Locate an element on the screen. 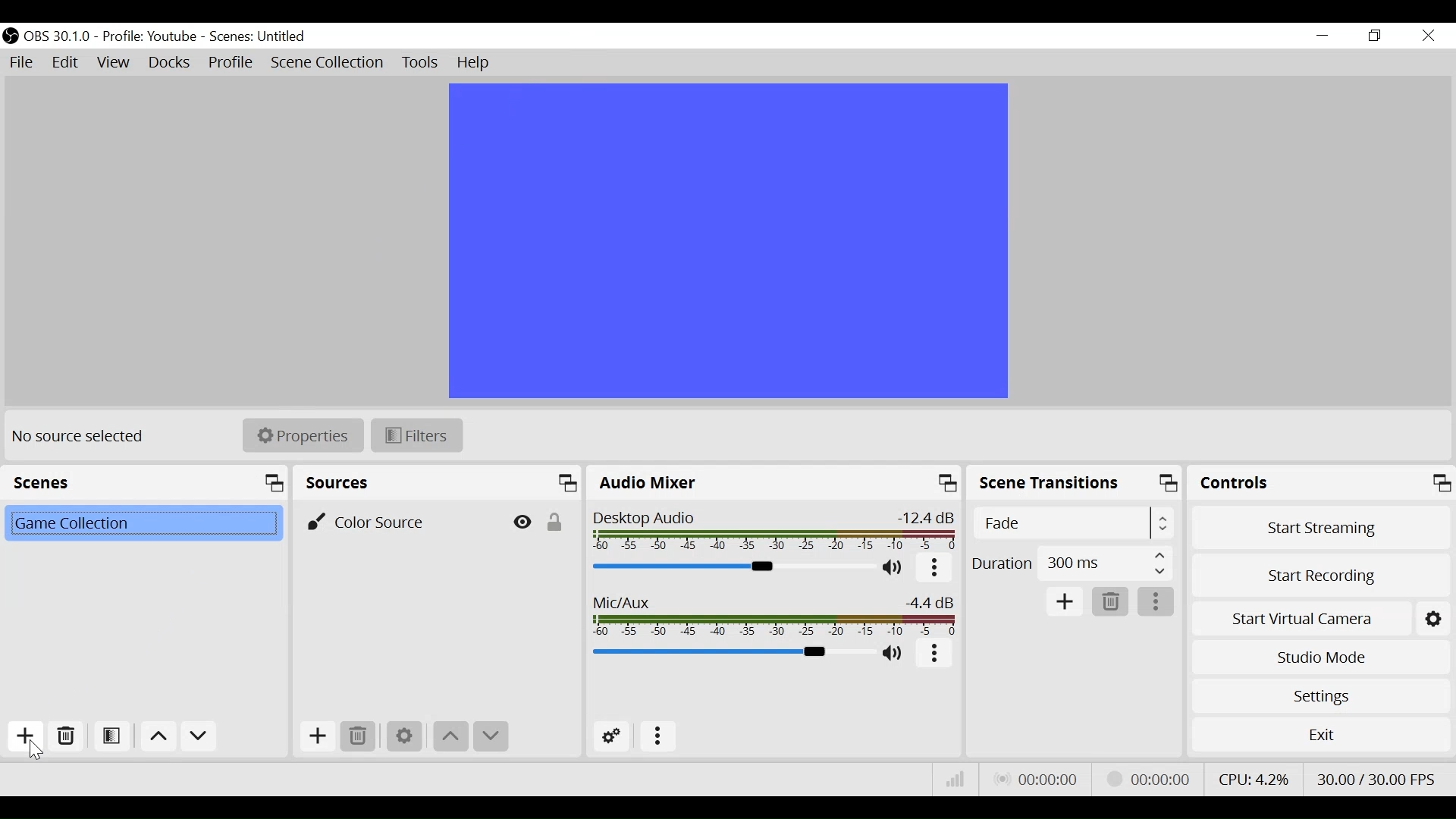 The width and height of the screenshot is (1456, 819). Color Source is located at coordinates (402, 521).